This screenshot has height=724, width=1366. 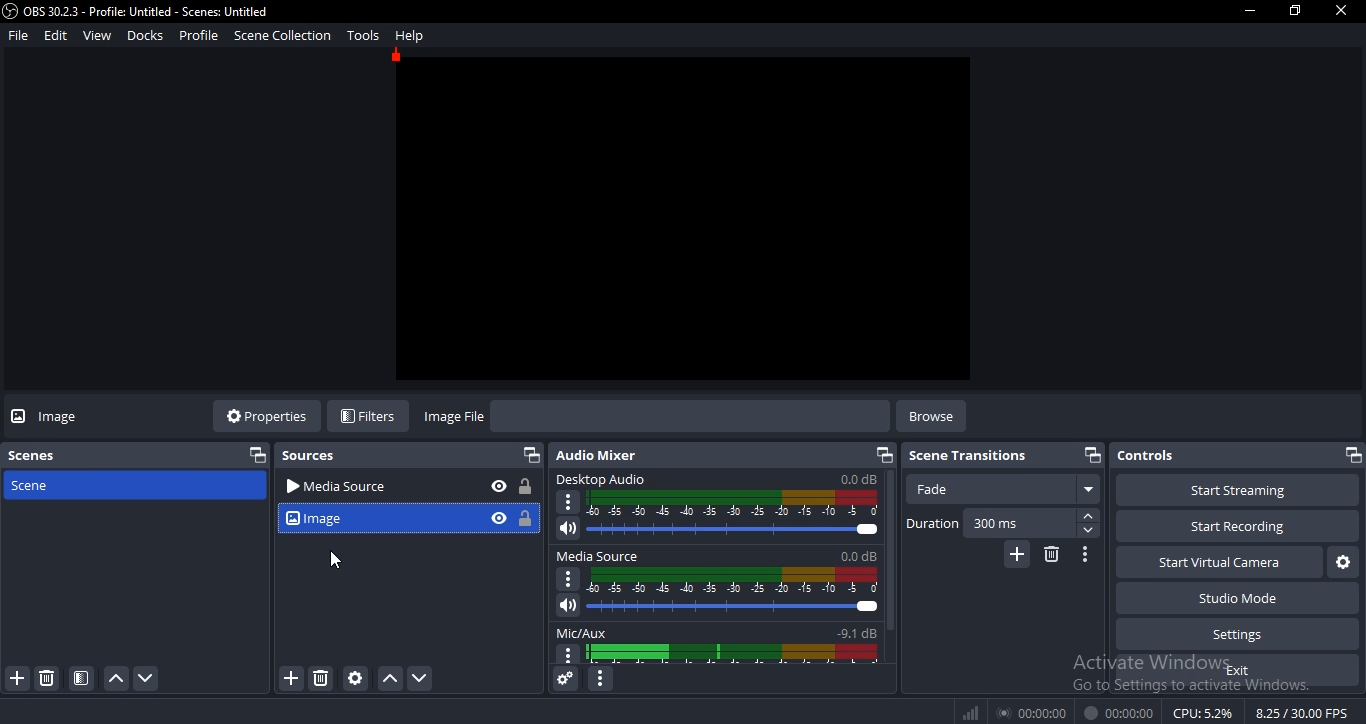 I want to click on display, so click(x=731, y=581).